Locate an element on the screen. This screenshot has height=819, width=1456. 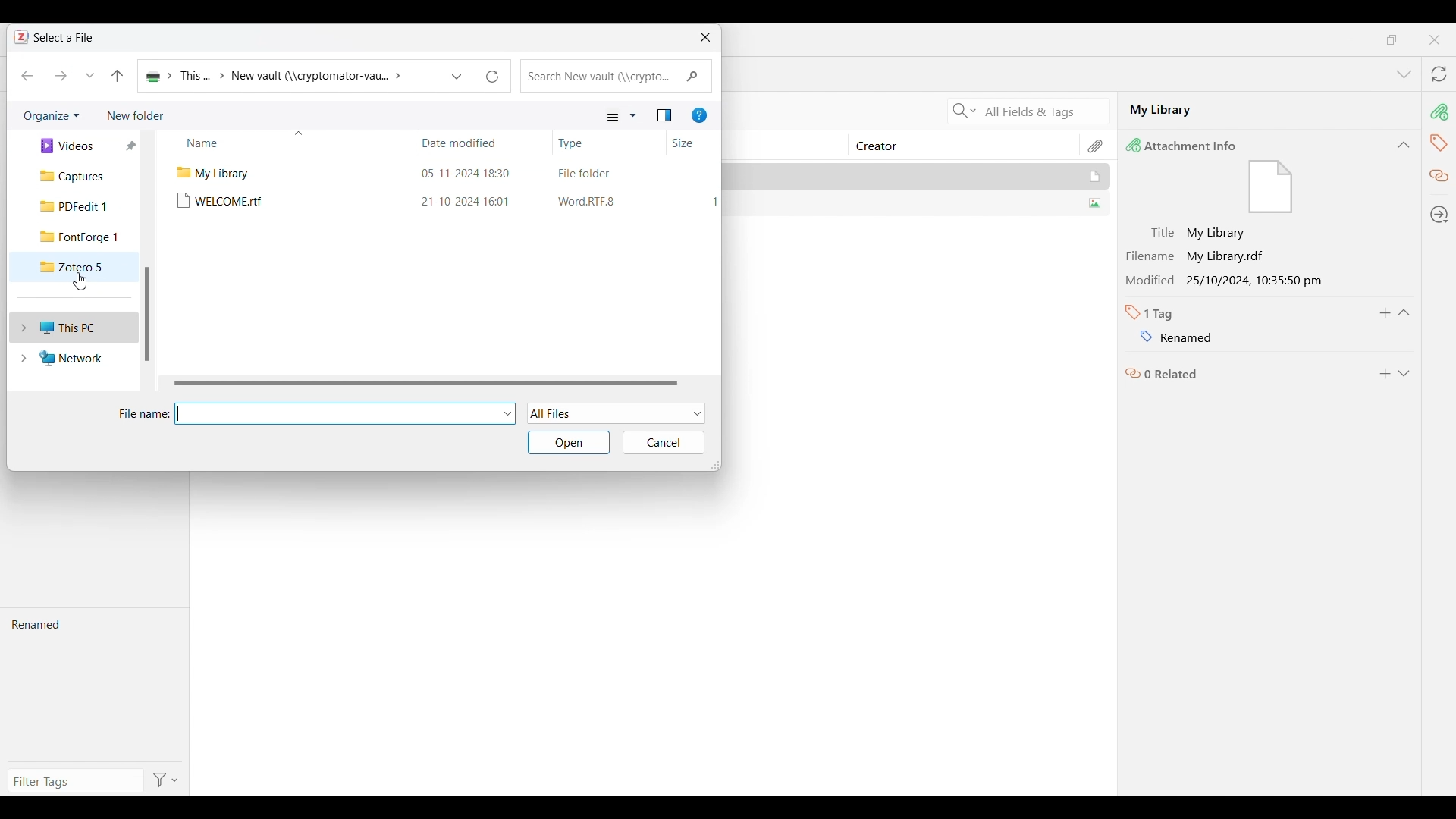
Filename My Library.rdf is located at coordinates (1203, 253).